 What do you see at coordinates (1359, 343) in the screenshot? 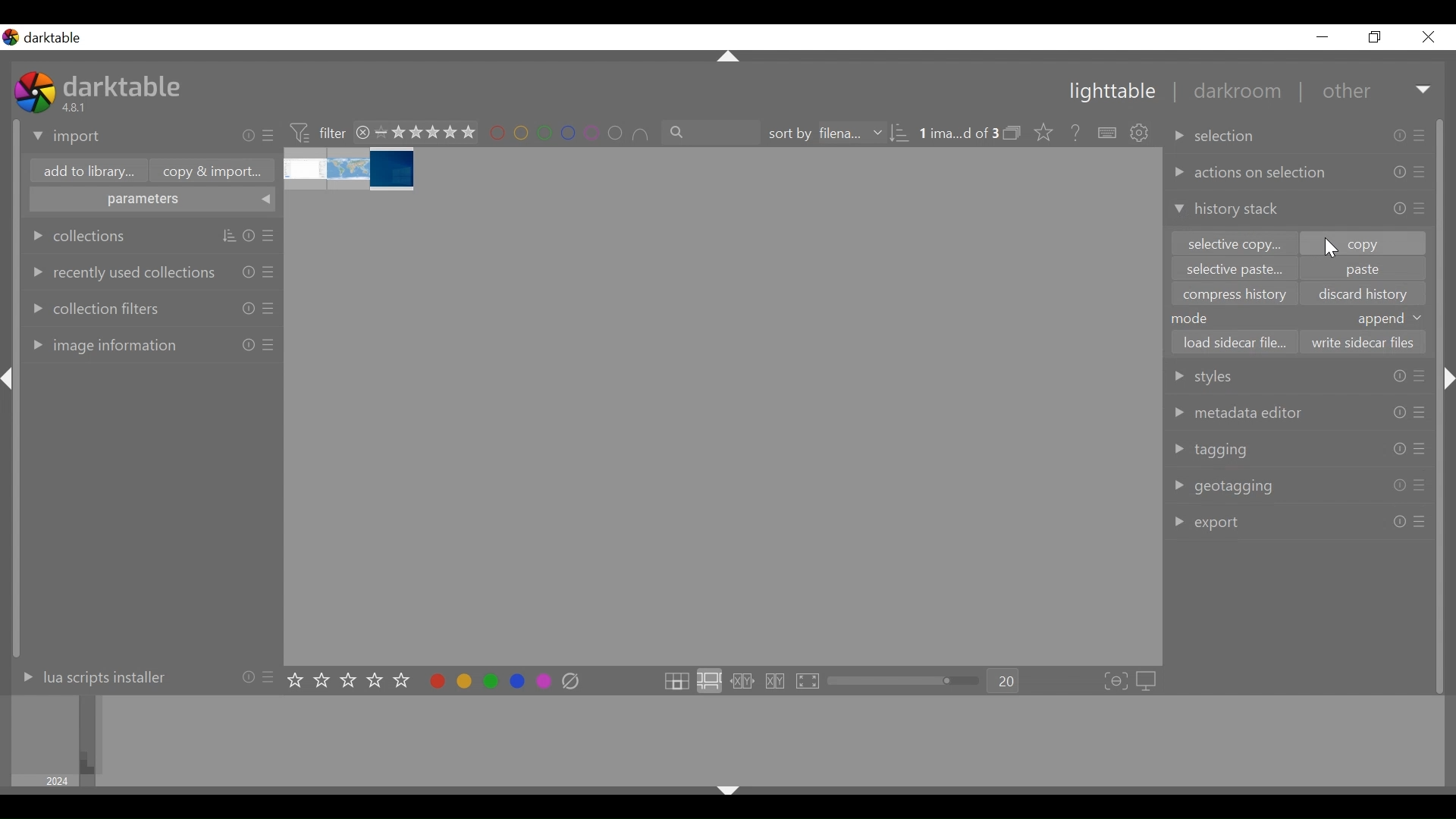
I see `write sidecar files` at bounding box center [1359, 343].